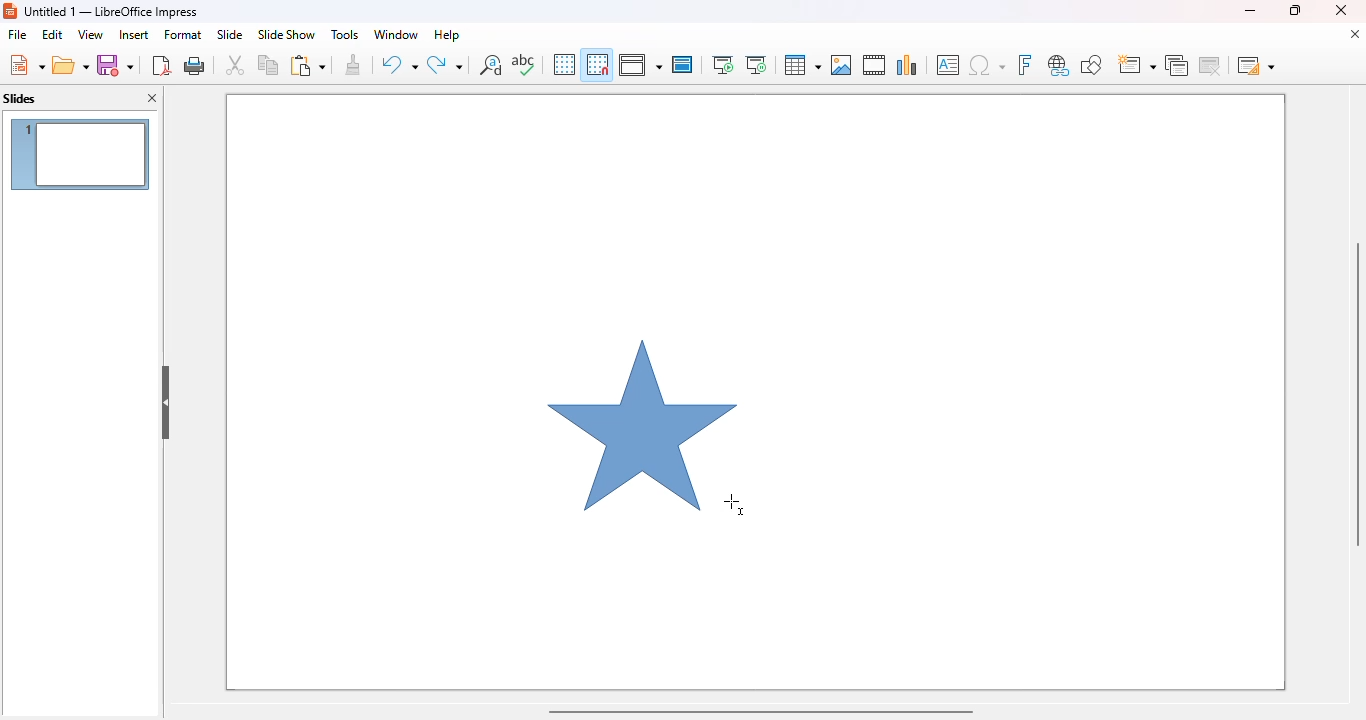  Describe the element at coordinates (235, 65) in the screenshot. I see `cut` at that location.